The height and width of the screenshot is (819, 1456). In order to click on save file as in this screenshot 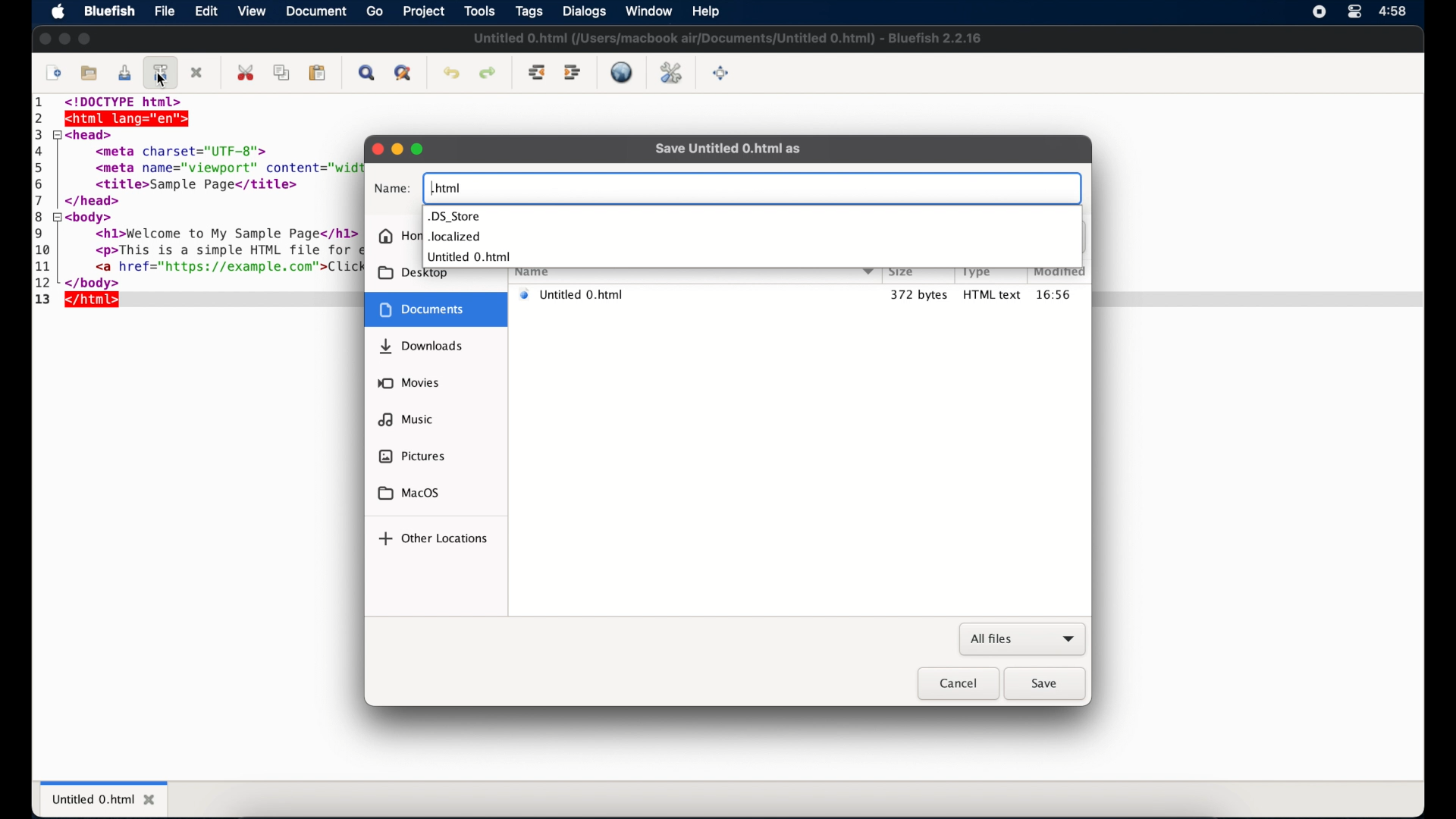, I will do `click(162, 72)`.